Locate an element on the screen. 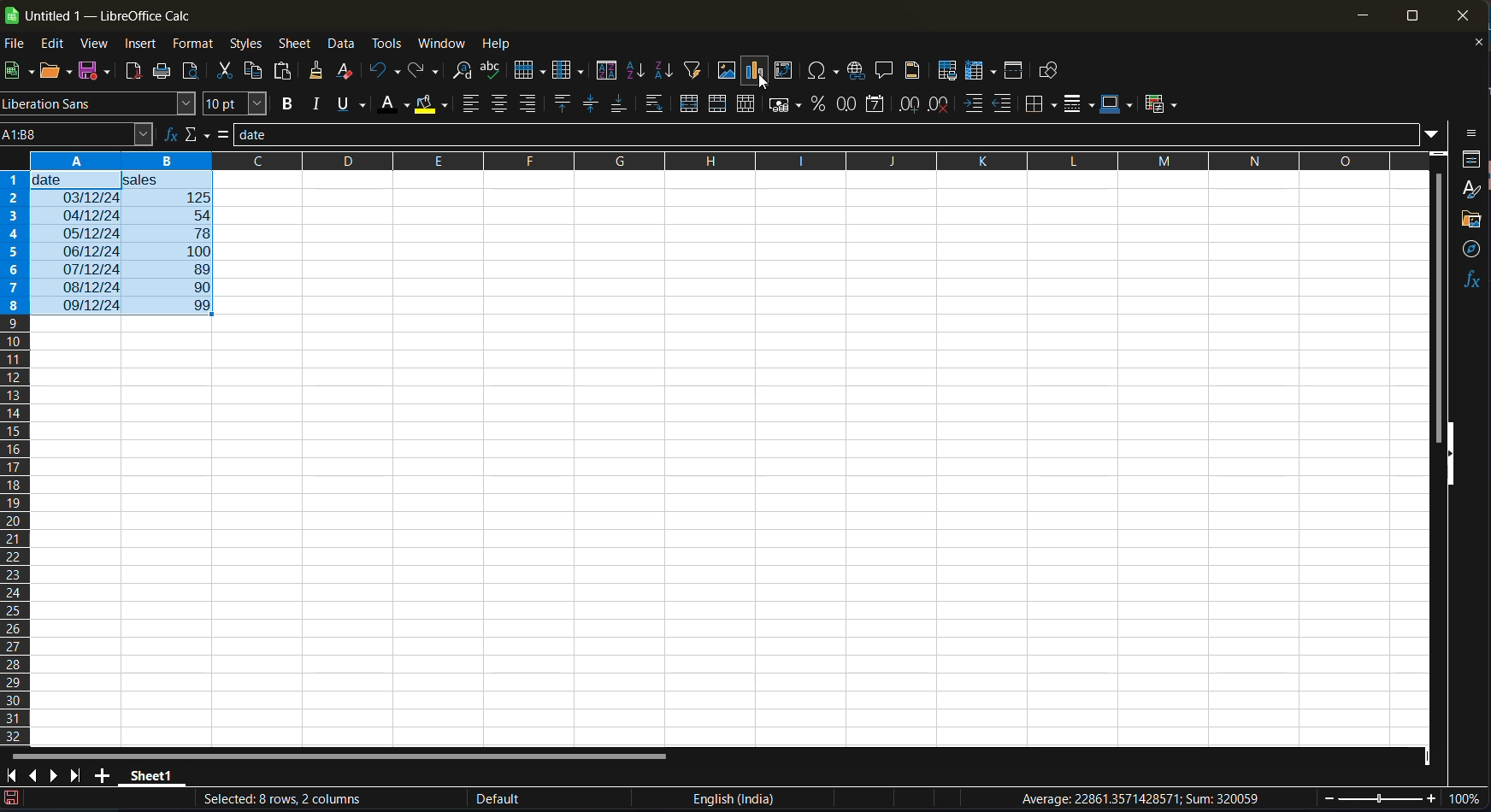 The height and width of the screenshot is (812, 1491). sort is located at coordinates (607, 70).